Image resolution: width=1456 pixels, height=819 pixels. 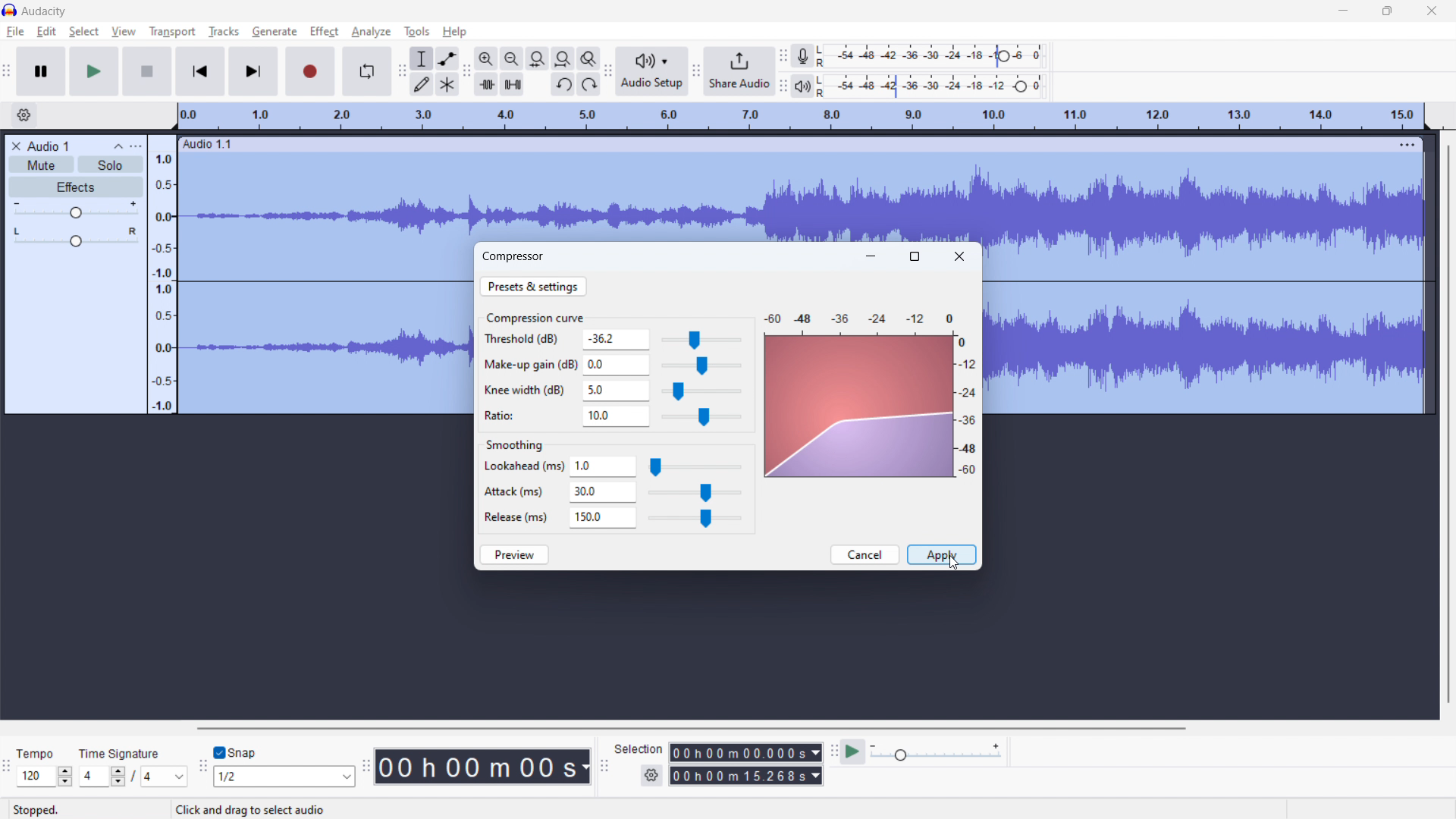 I want to click on settings, so click(x=651, y=776).